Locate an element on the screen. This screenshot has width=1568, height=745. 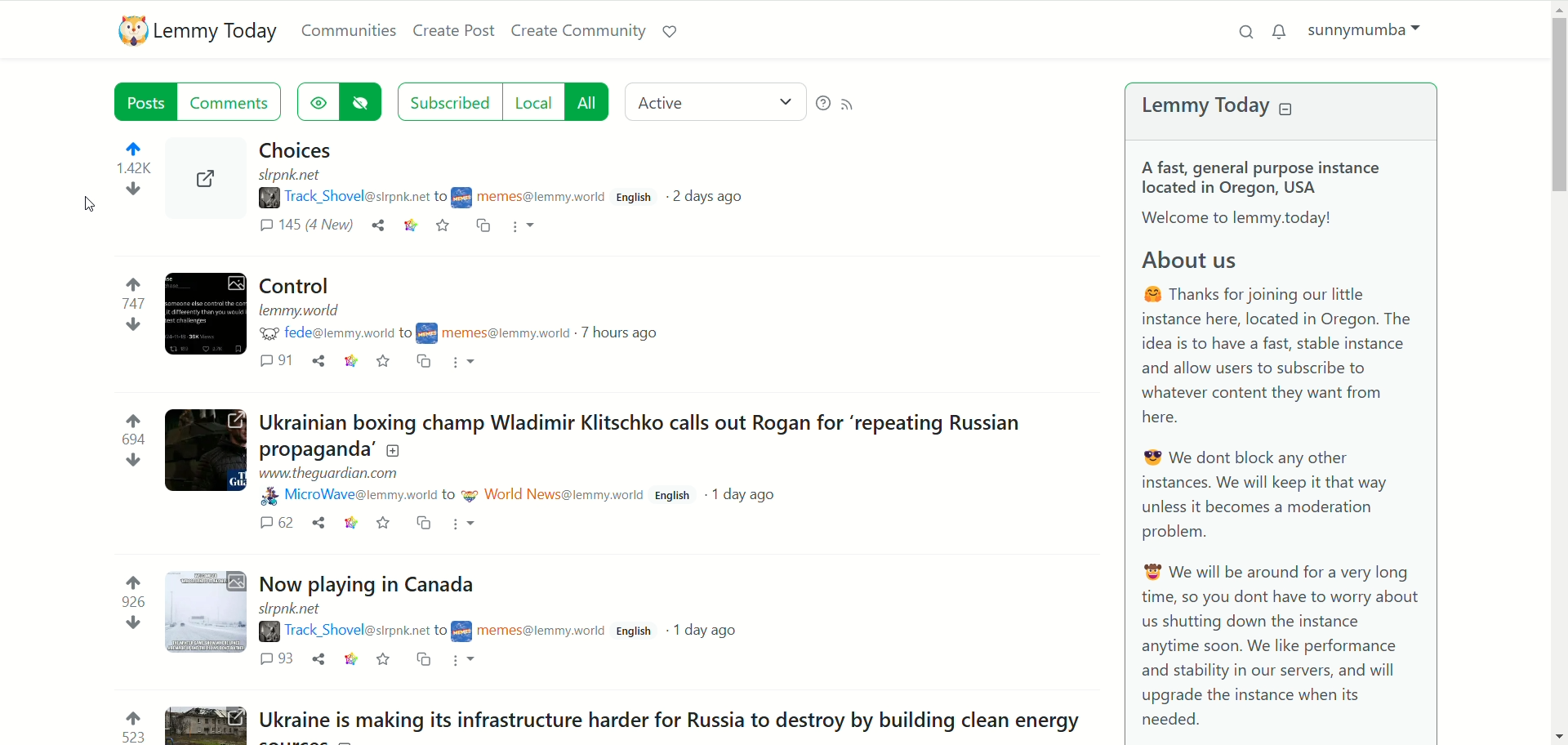
search is located at coordinates (1245, 30).